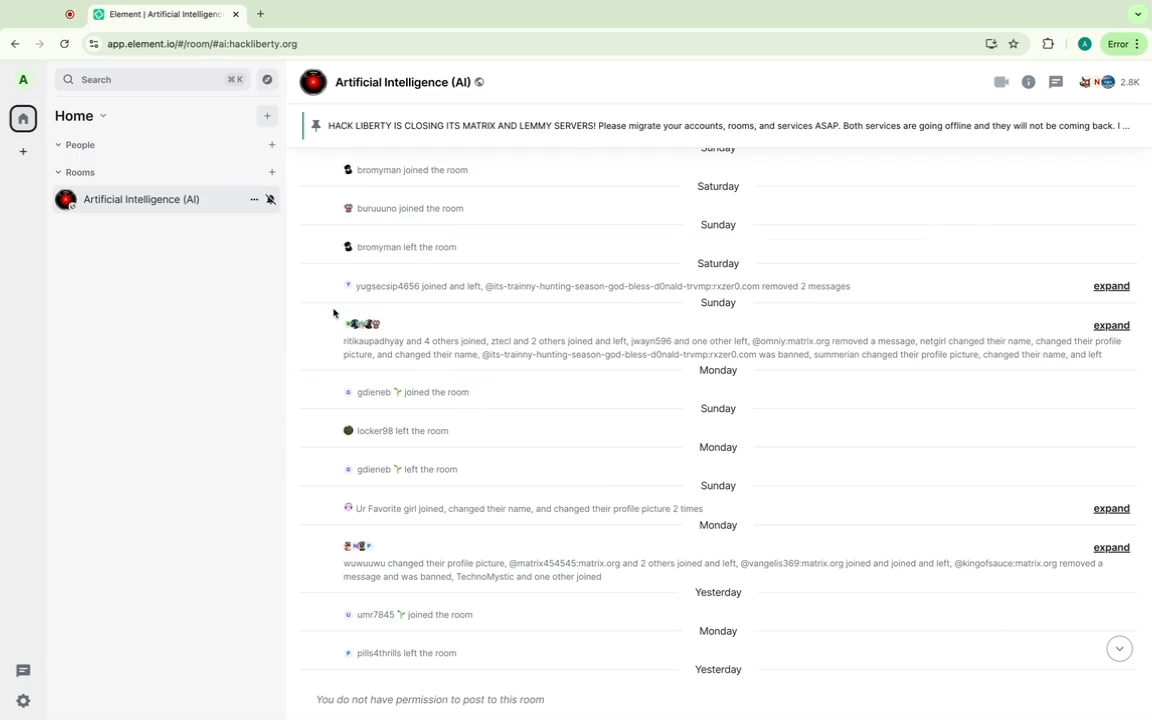  Describe the element at coordinates (270, 79) in the screenshot. I see `Explore rooms` at that location.